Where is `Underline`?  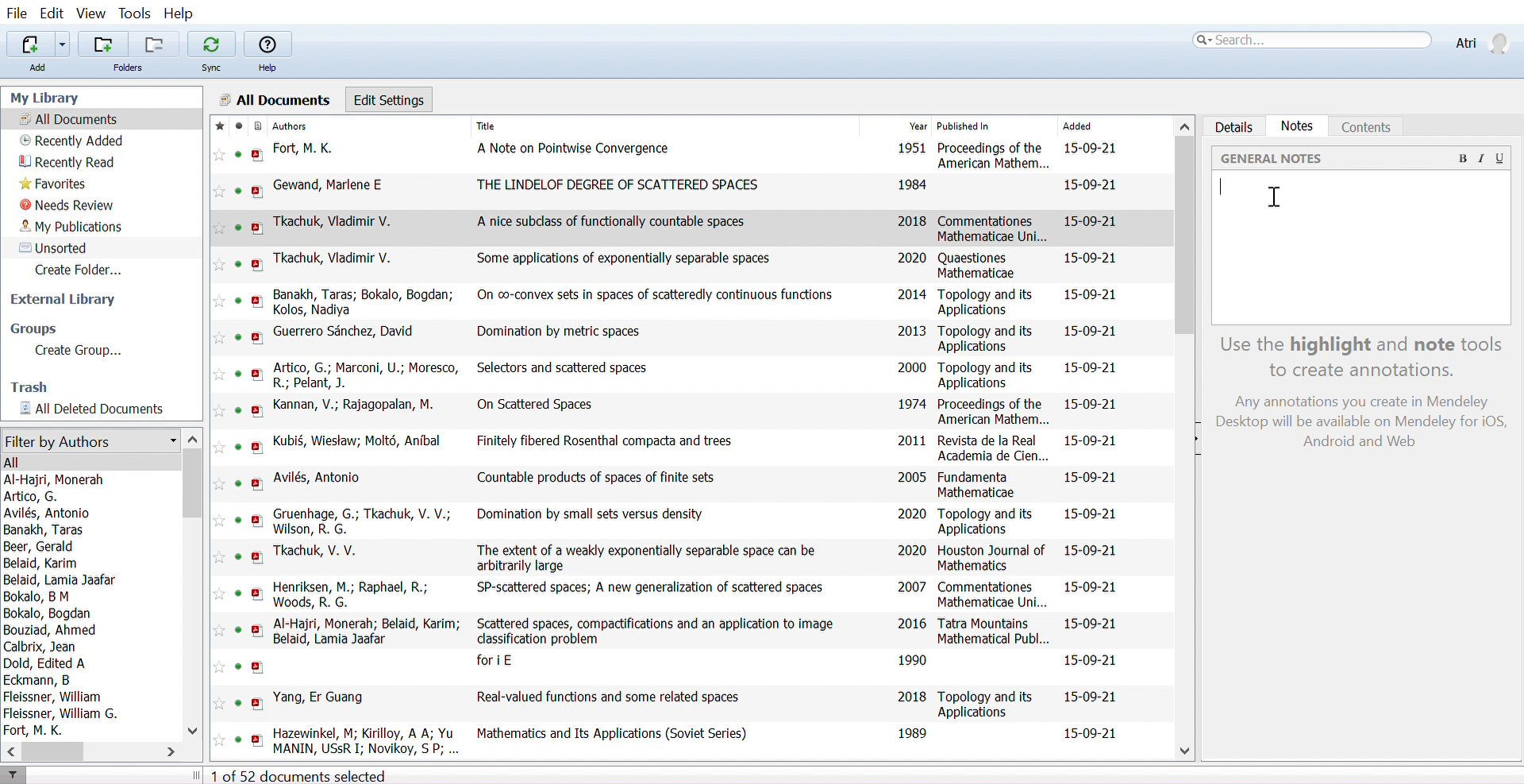
Underline is located at coordinates (1503, 159).